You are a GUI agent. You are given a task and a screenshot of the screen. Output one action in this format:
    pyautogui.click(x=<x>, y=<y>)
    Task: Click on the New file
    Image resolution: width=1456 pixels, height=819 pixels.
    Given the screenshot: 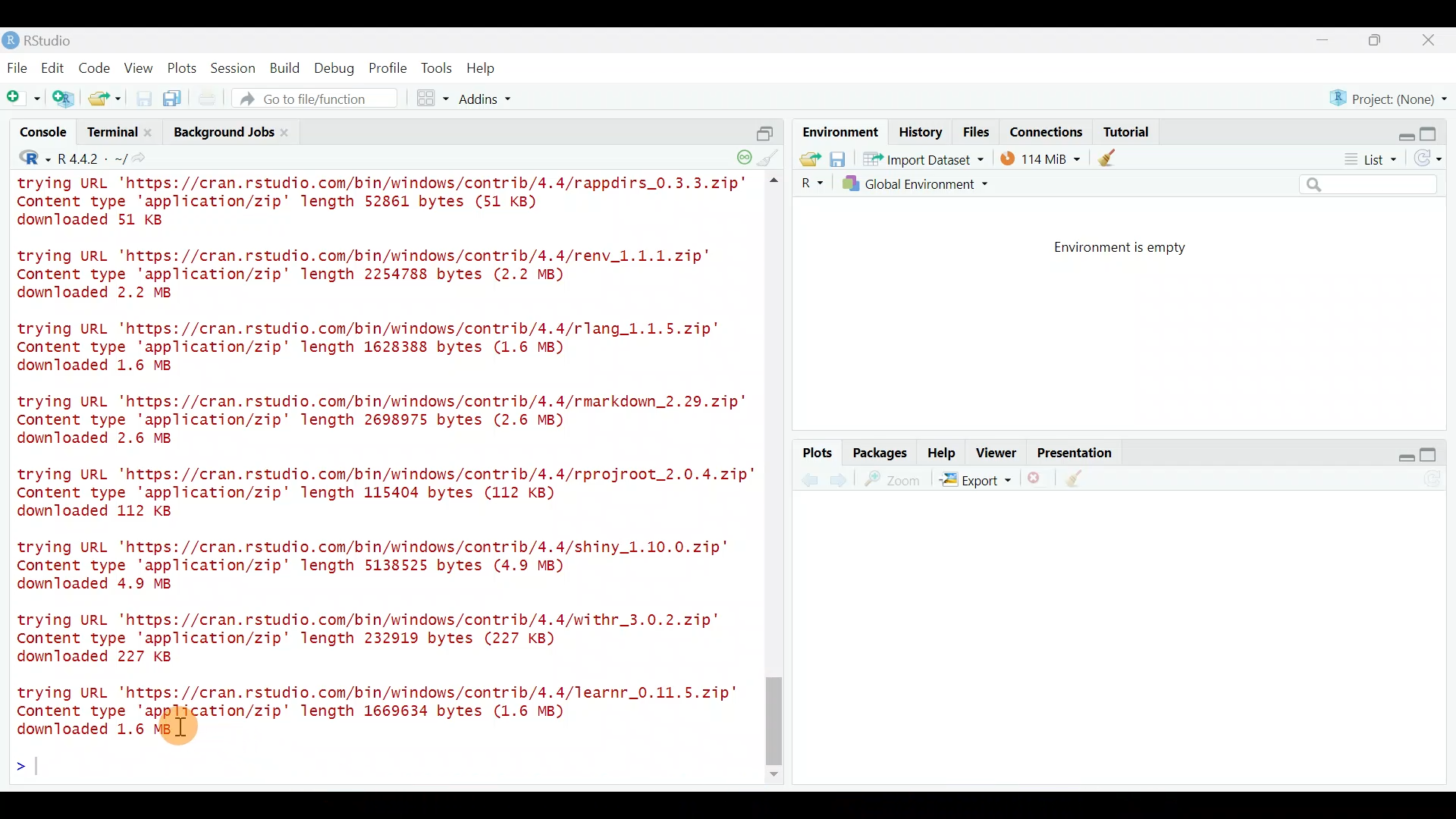 What is the action you would take?
    pyautogui.click(x=22, y=99)
    